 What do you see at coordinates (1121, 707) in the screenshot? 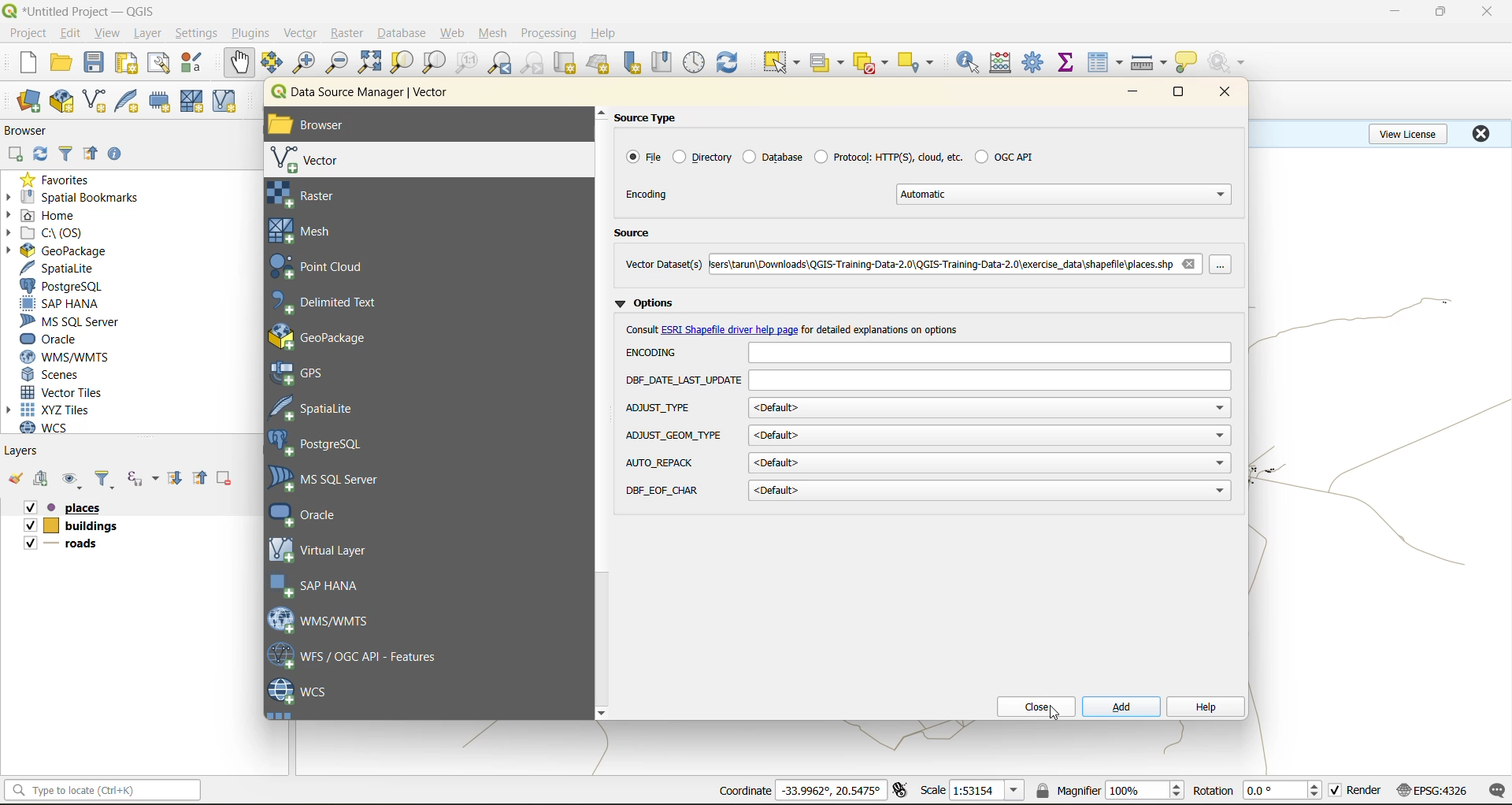
I see `add` at bounding box center [1121, 707].